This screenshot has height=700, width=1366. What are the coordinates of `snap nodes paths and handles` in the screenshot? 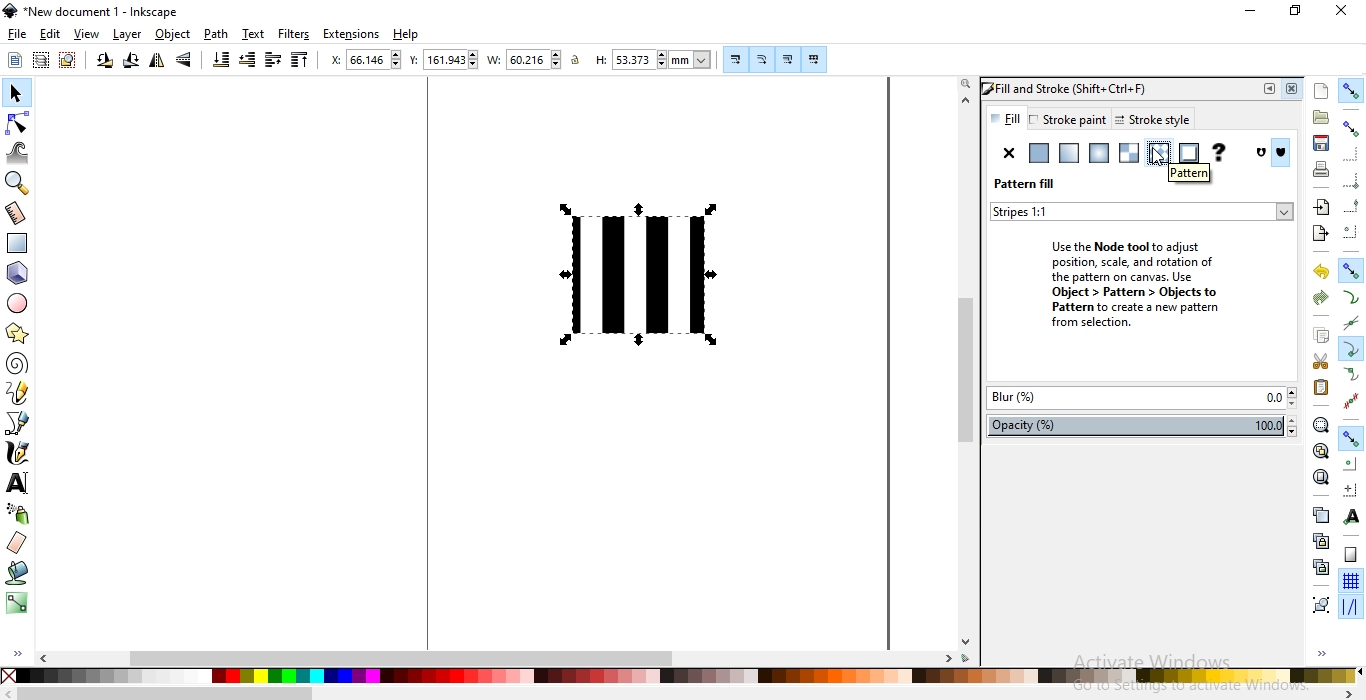 It's located at (1352, 271).